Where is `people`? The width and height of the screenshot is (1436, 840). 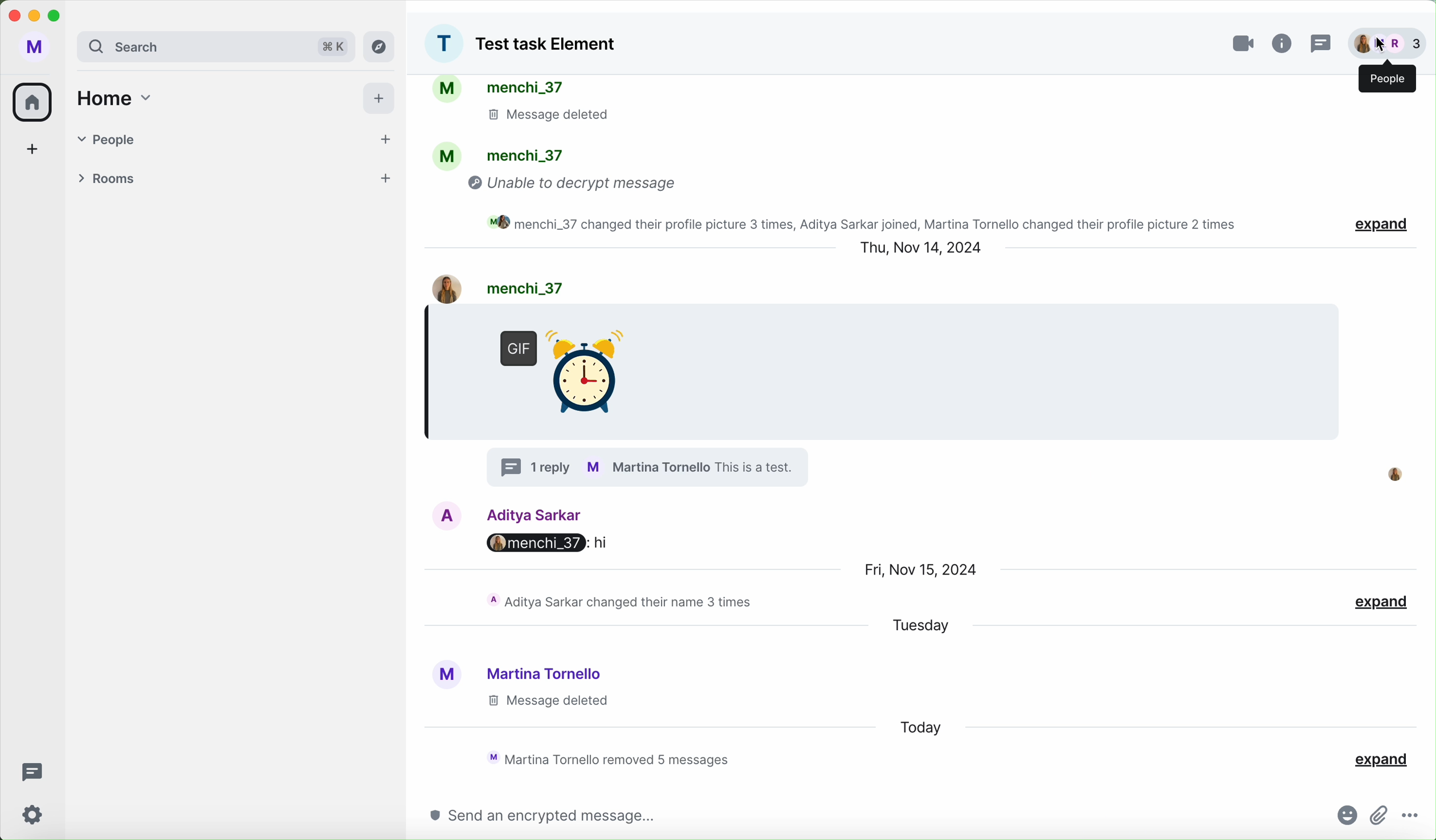 people is located at coordinates (1386, 79).